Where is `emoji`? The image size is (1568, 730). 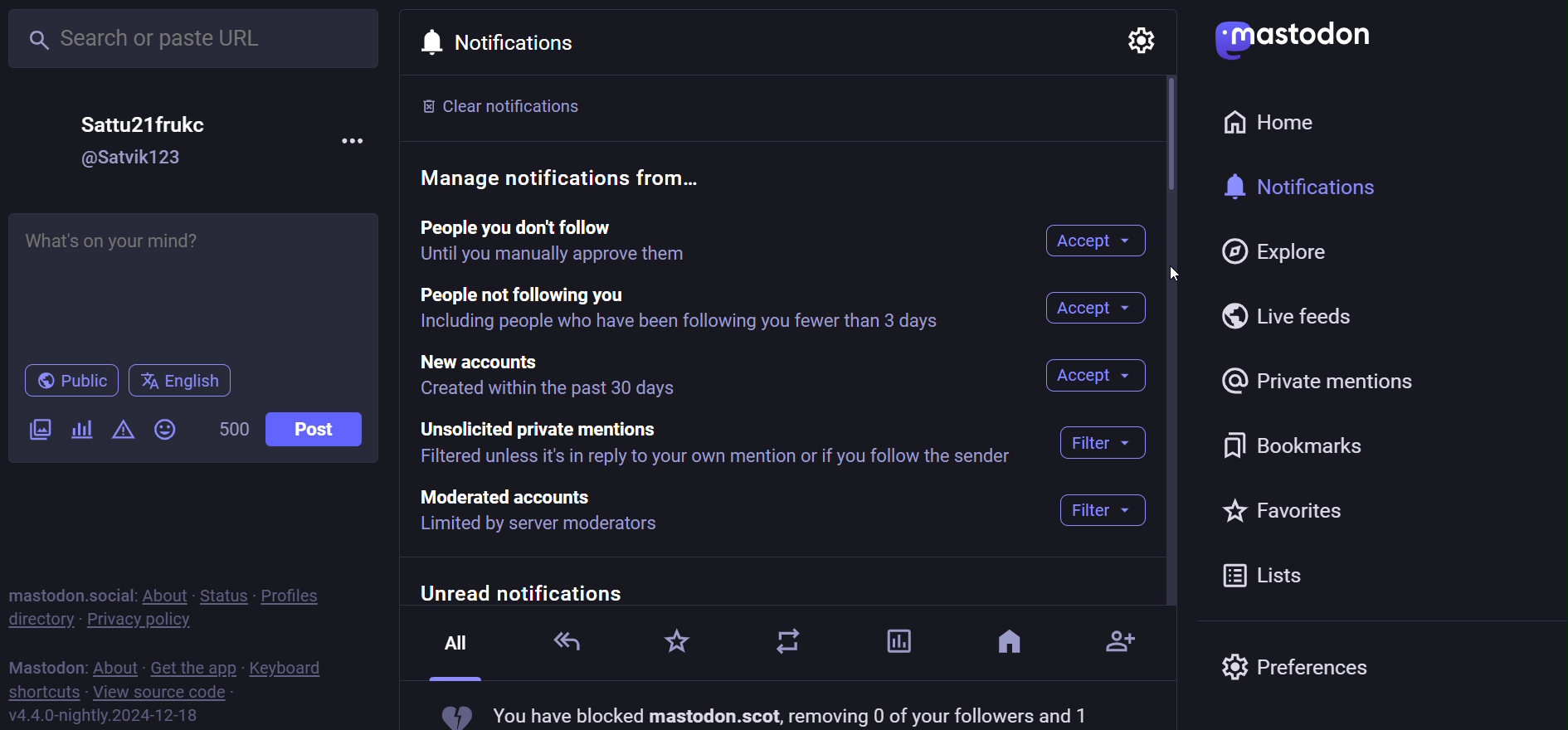
emoji is located at coordinates (166, 429).